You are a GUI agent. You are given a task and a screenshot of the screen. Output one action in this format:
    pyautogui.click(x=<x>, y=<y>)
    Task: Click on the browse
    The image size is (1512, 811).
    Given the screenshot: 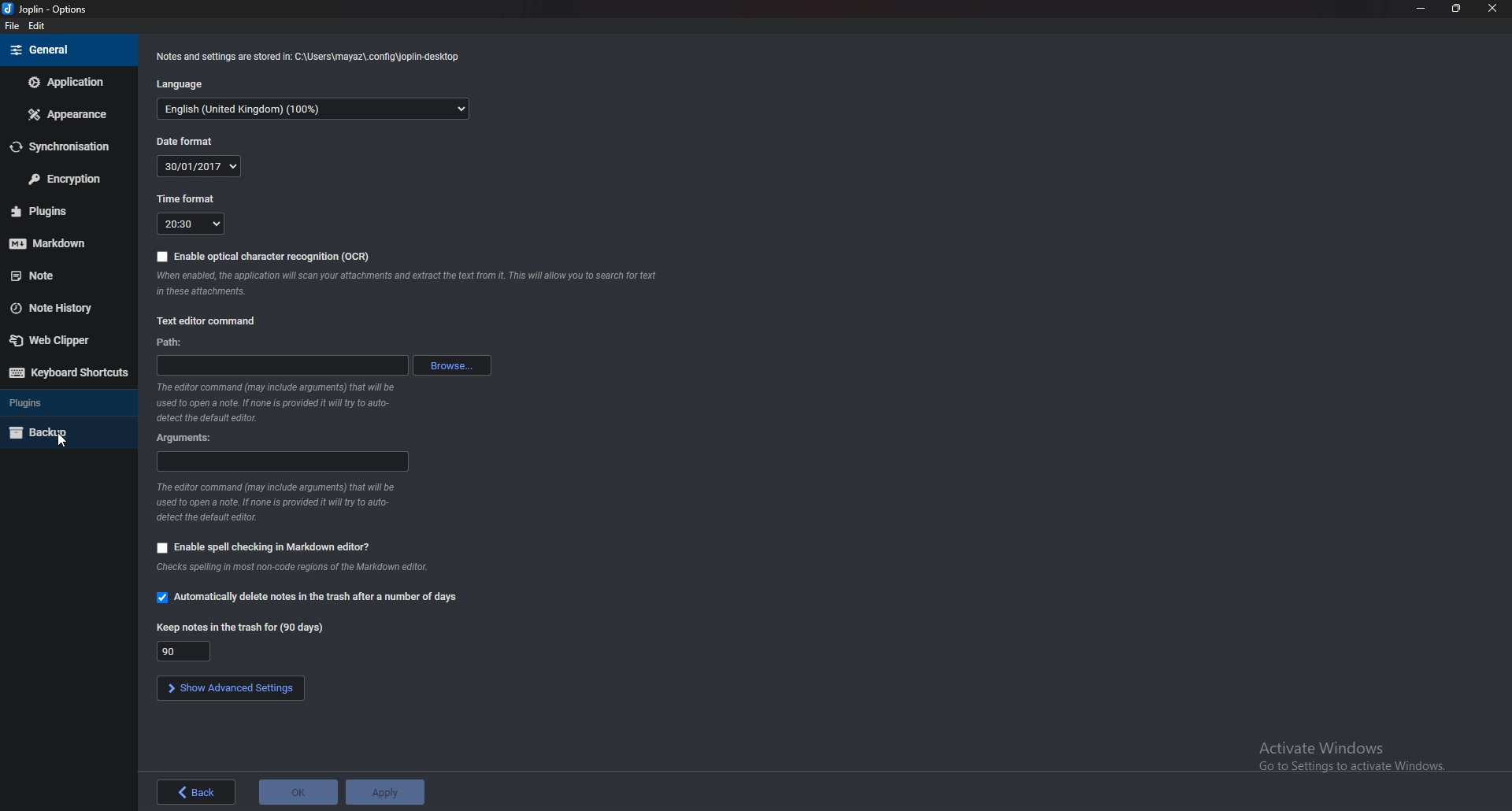 What is the action you would take?
    pyautogui.click(x=454, y=365)
    